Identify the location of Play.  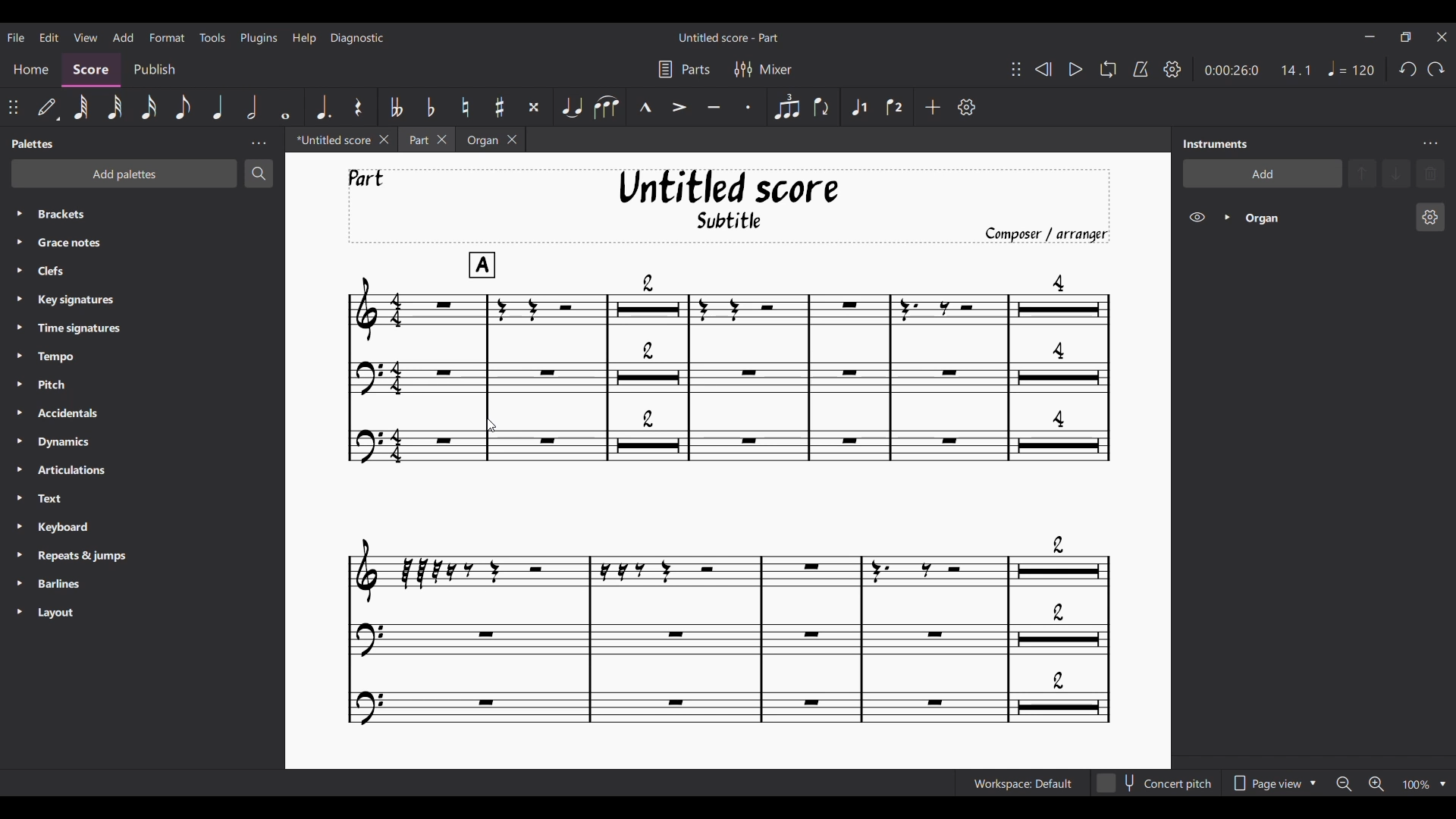
(1075, 69).